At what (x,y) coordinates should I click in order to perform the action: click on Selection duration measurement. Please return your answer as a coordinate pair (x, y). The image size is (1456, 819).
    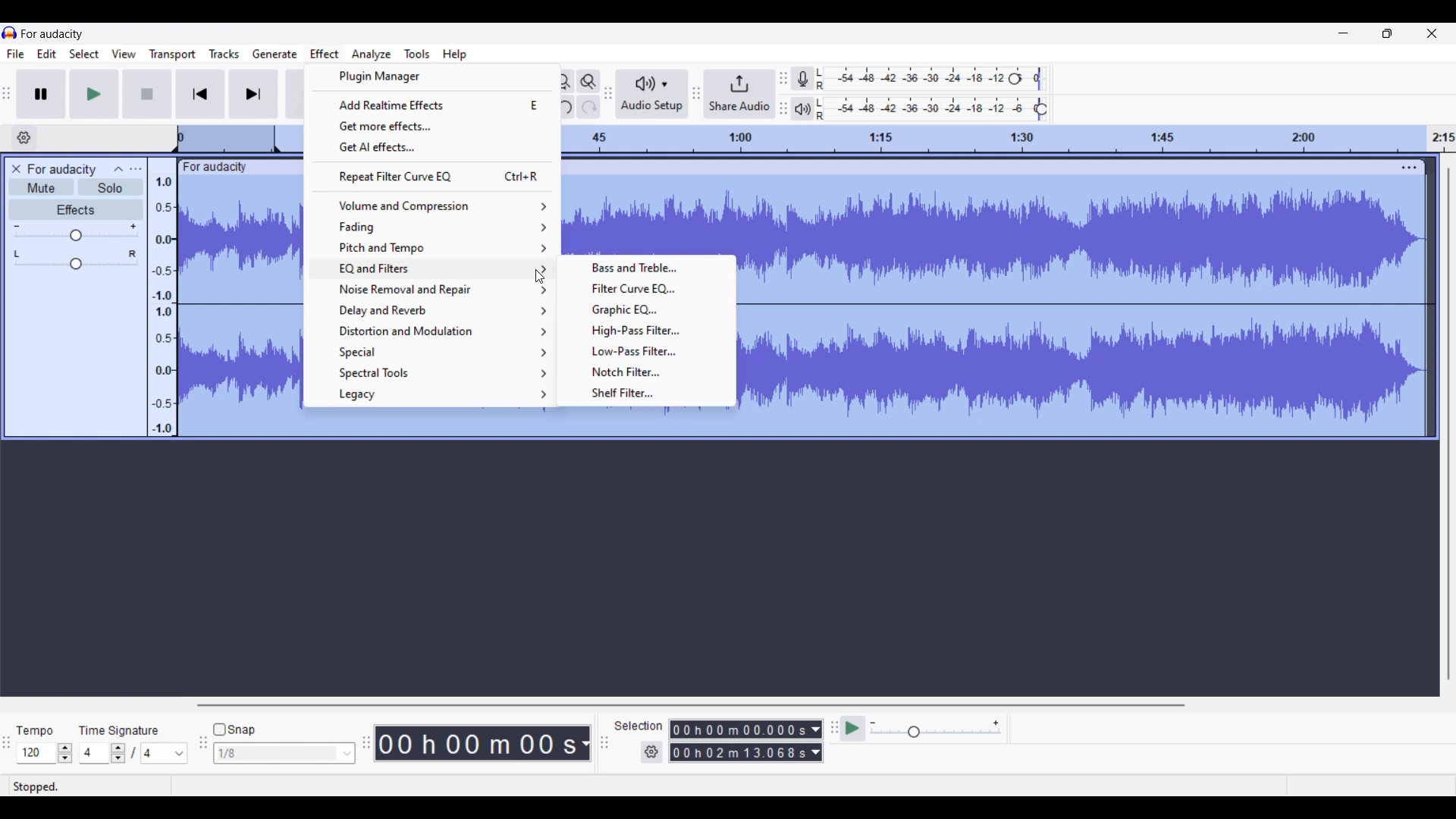
    Looking at the image, I should click on (815, 741).